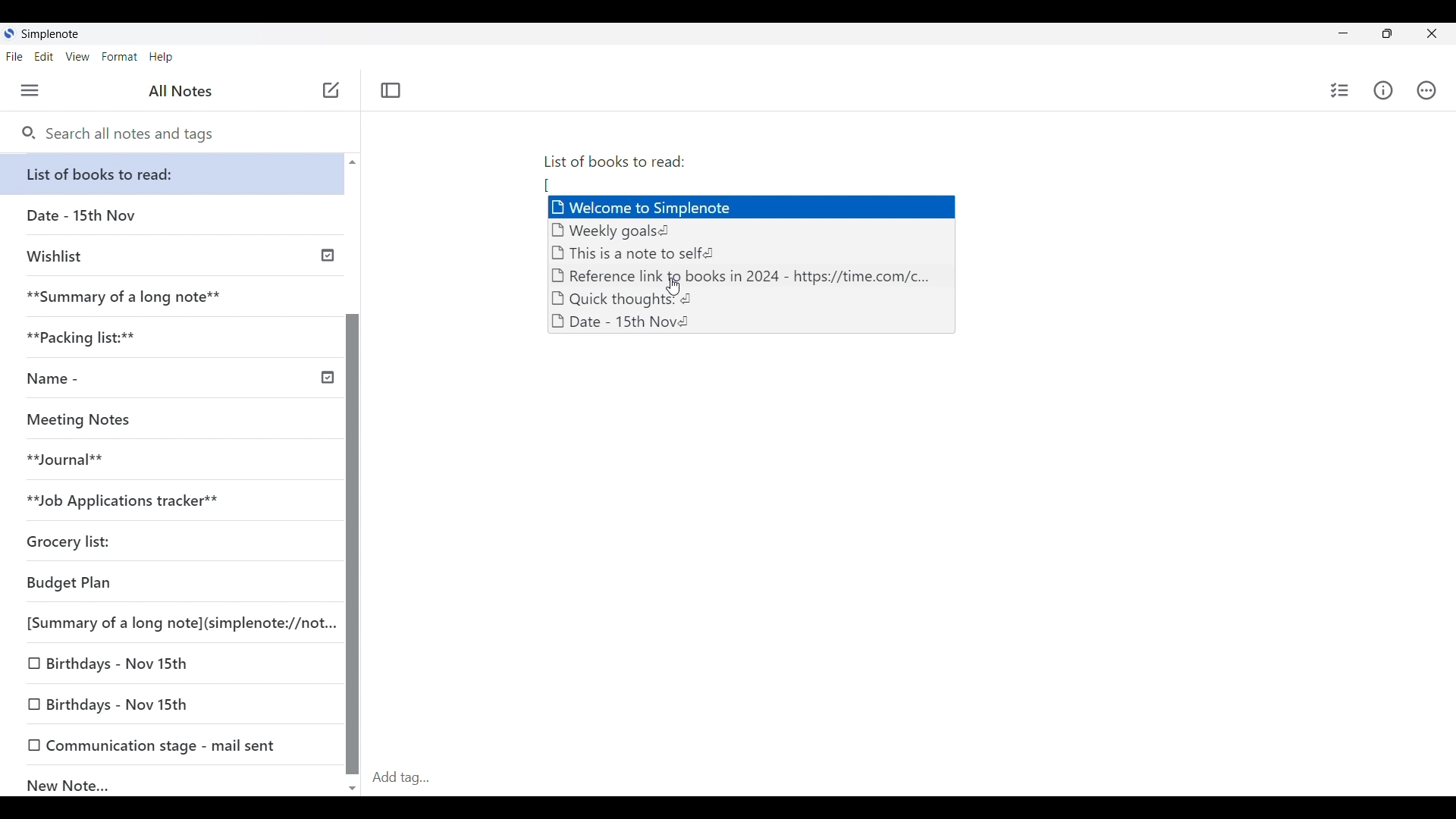  Describe the element at coordinates (177, 623) in the screenshot. I see `[Summary of a long note](simplenote://not...` at that location.